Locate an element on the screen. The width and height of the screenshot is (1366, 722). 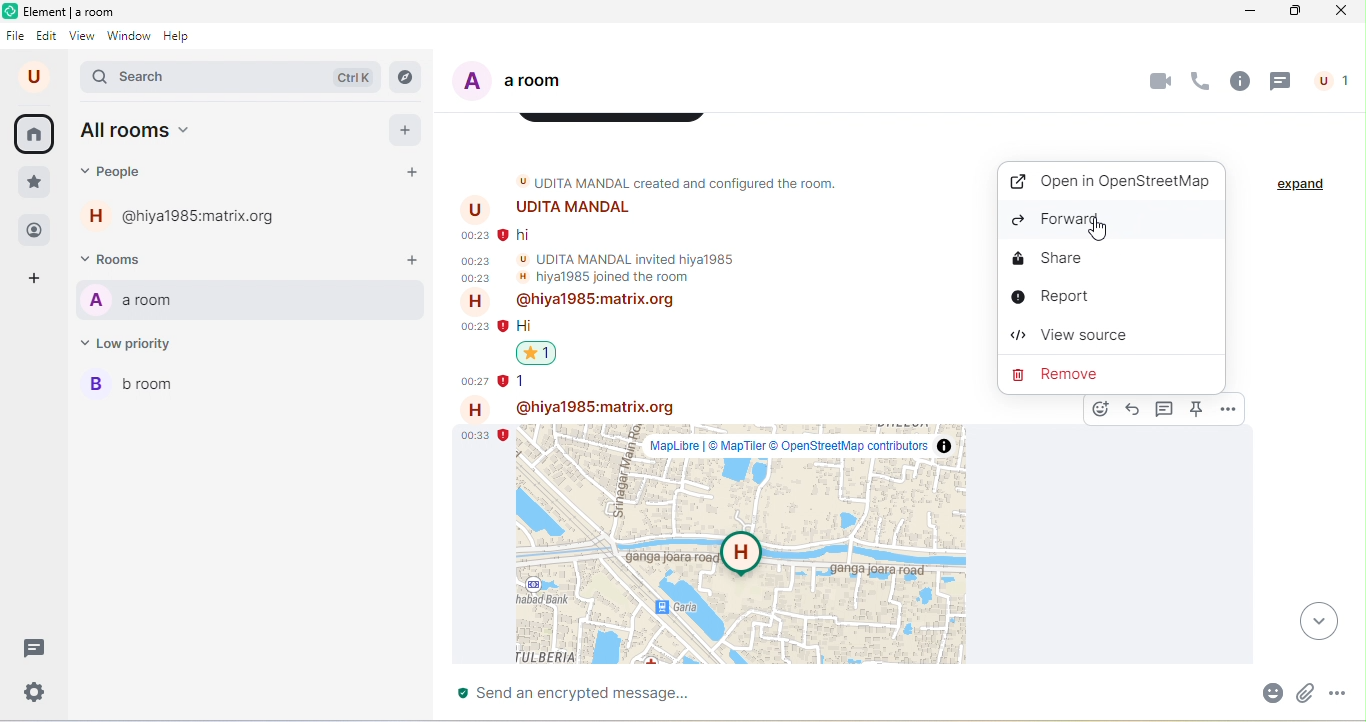
people is located at coordinates (35, 234).